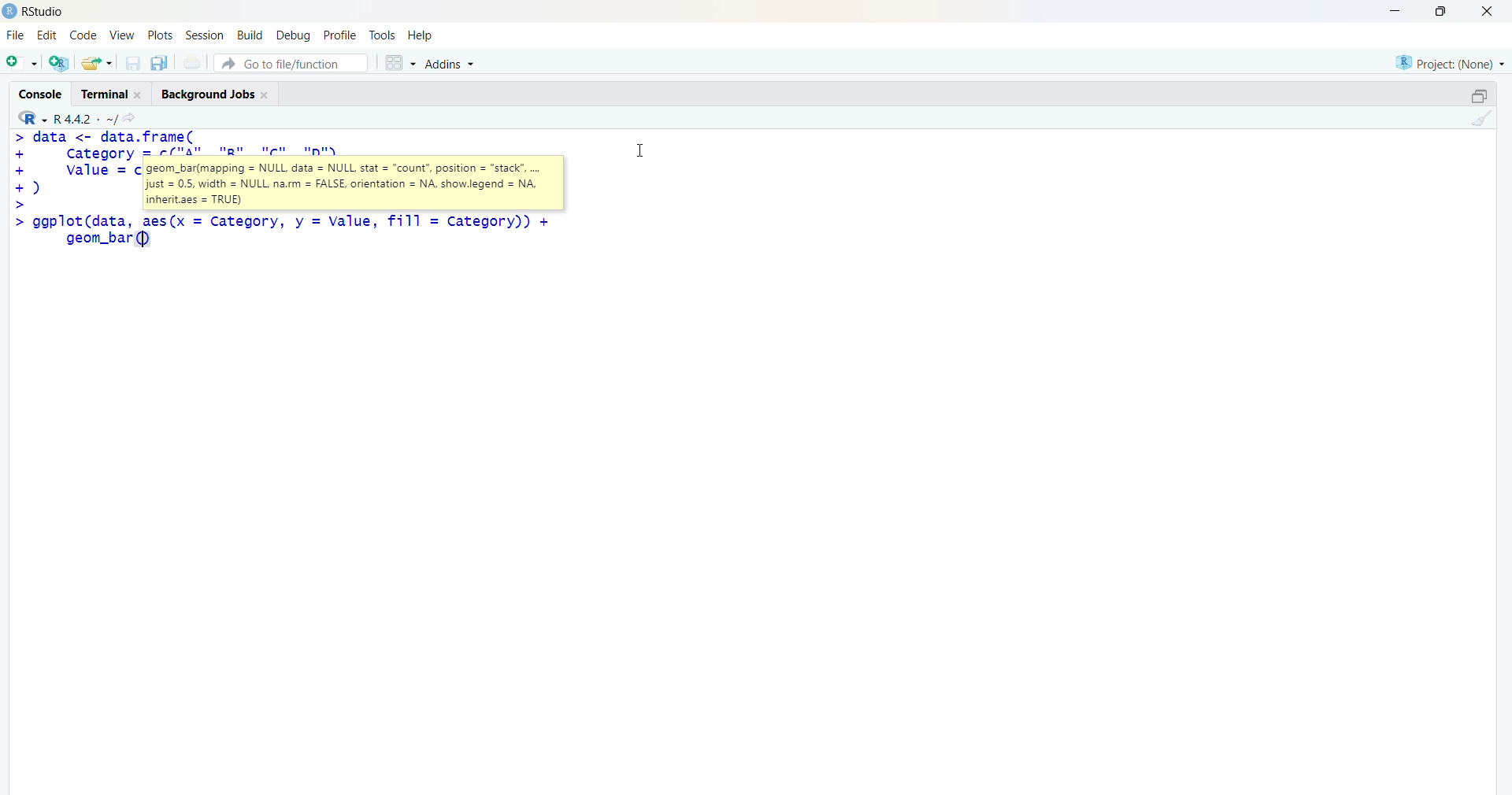  Describe the element at coordinates (10, 11) in the screenshot. I see `logo` at that location.